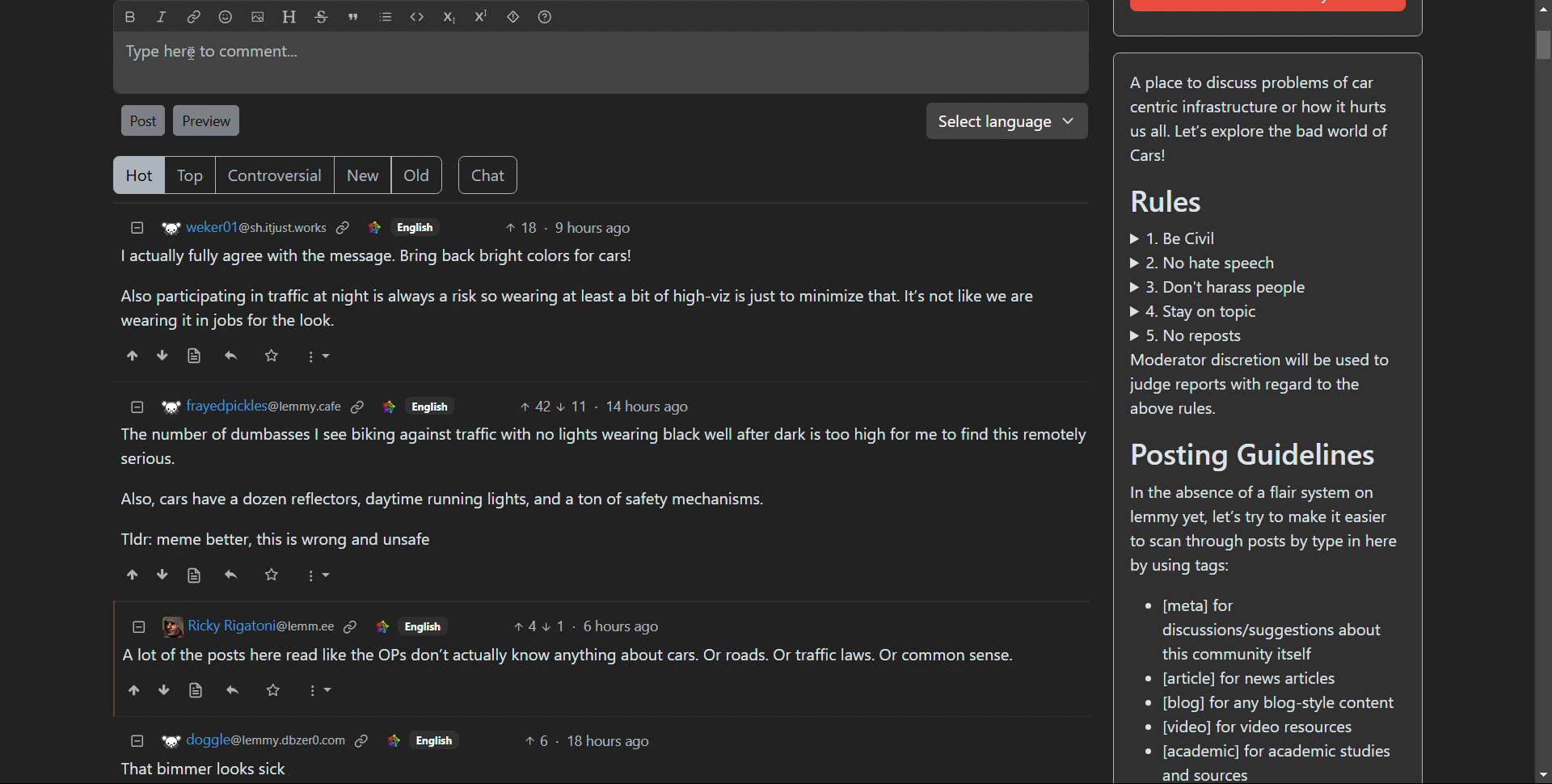  What do you see at coordinates (231, 356) in the screenshot?
I see `reply` at bounding box center [231, 356].